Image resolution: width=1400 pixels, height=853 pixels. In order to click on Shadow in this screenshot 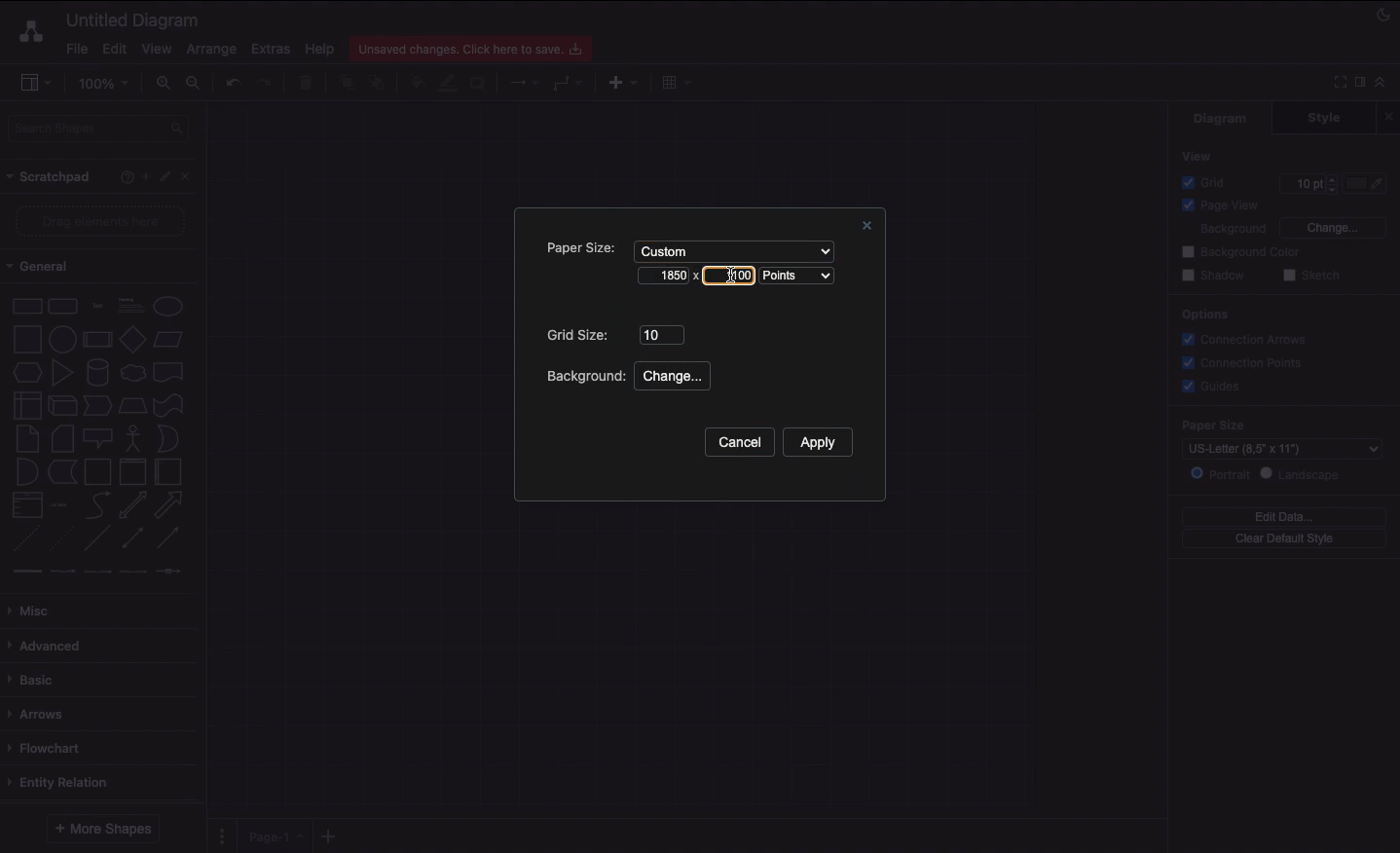, I will do `click(479, 82)`.